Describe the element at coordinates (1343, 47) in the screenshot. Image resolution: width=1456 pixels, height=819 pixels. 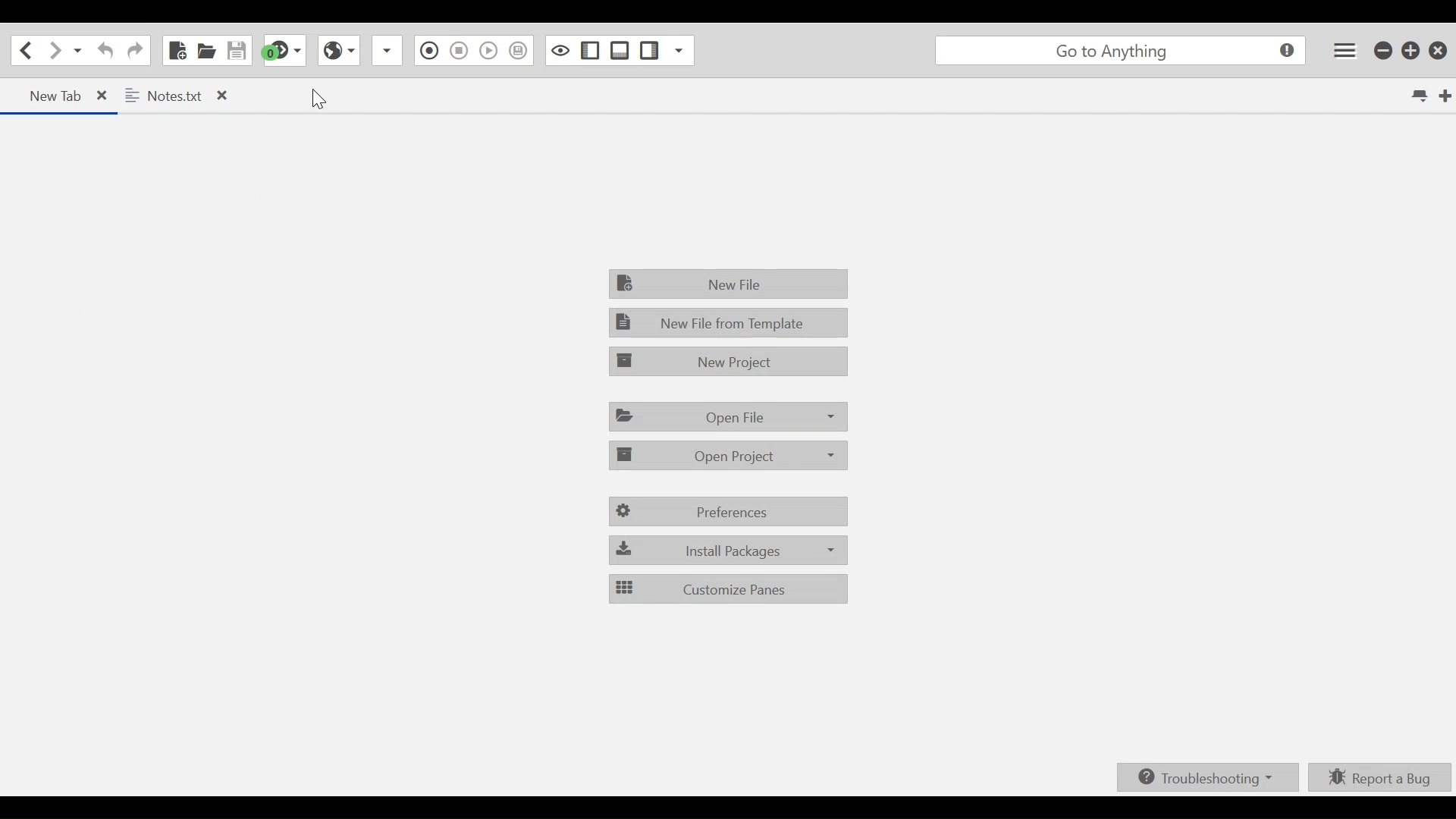
I see `Application menu` at that location.